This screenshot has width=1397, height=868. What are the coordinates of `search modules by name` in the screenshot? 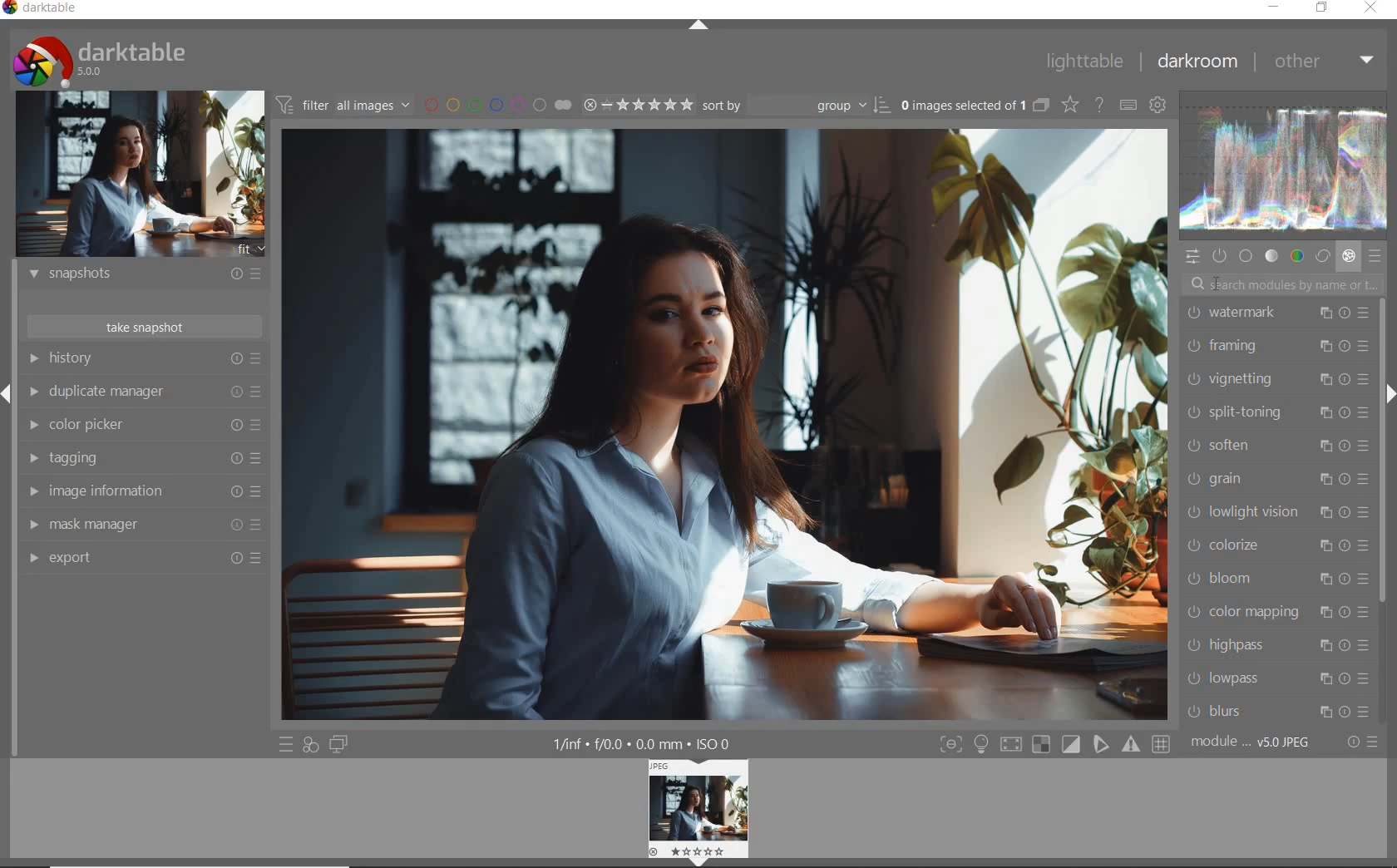 It's located at (1283, 282).